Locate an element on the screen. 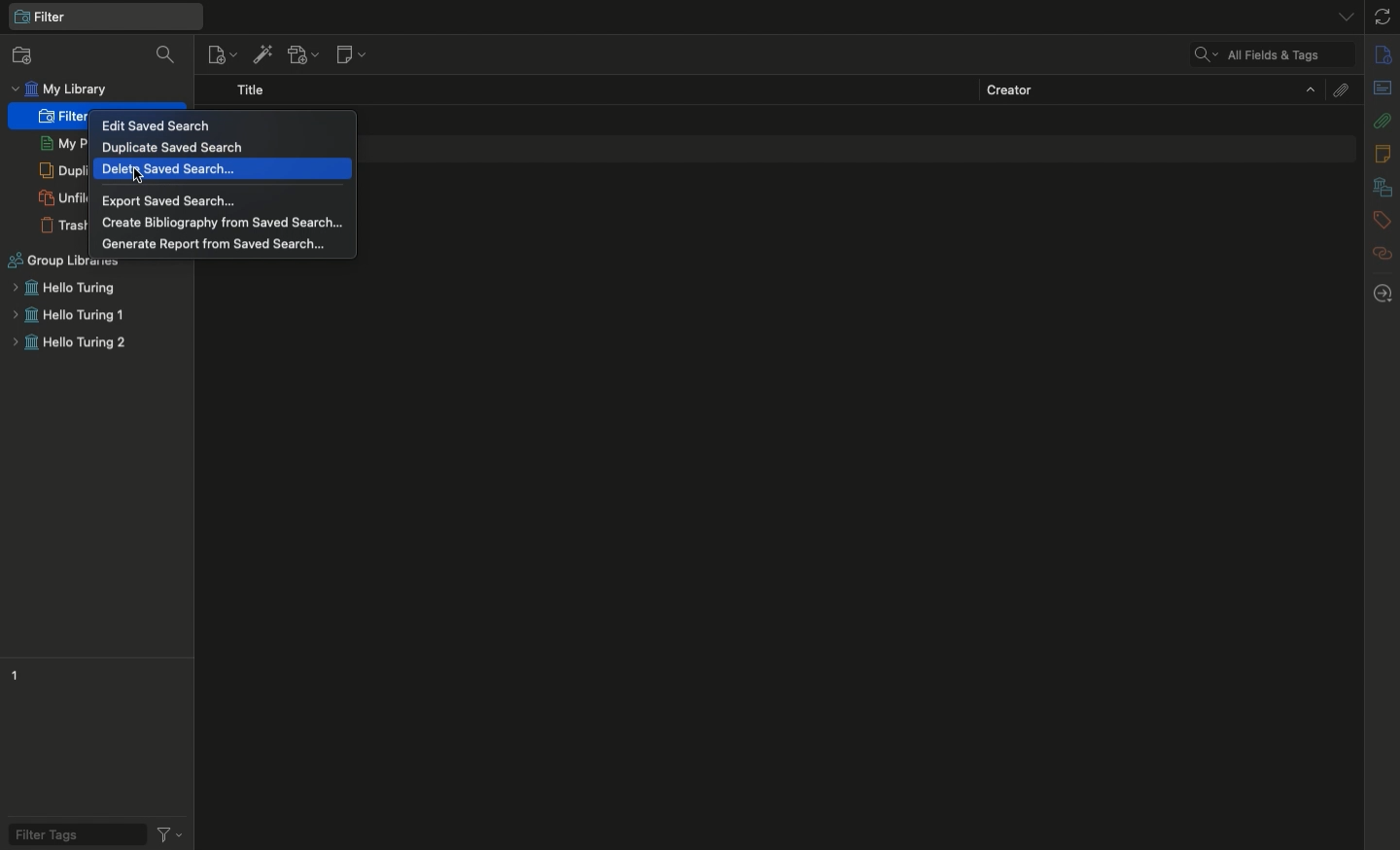 This screenshot has height=850, width=1400. Libraries and collections is located at coordinates (1382, 189).